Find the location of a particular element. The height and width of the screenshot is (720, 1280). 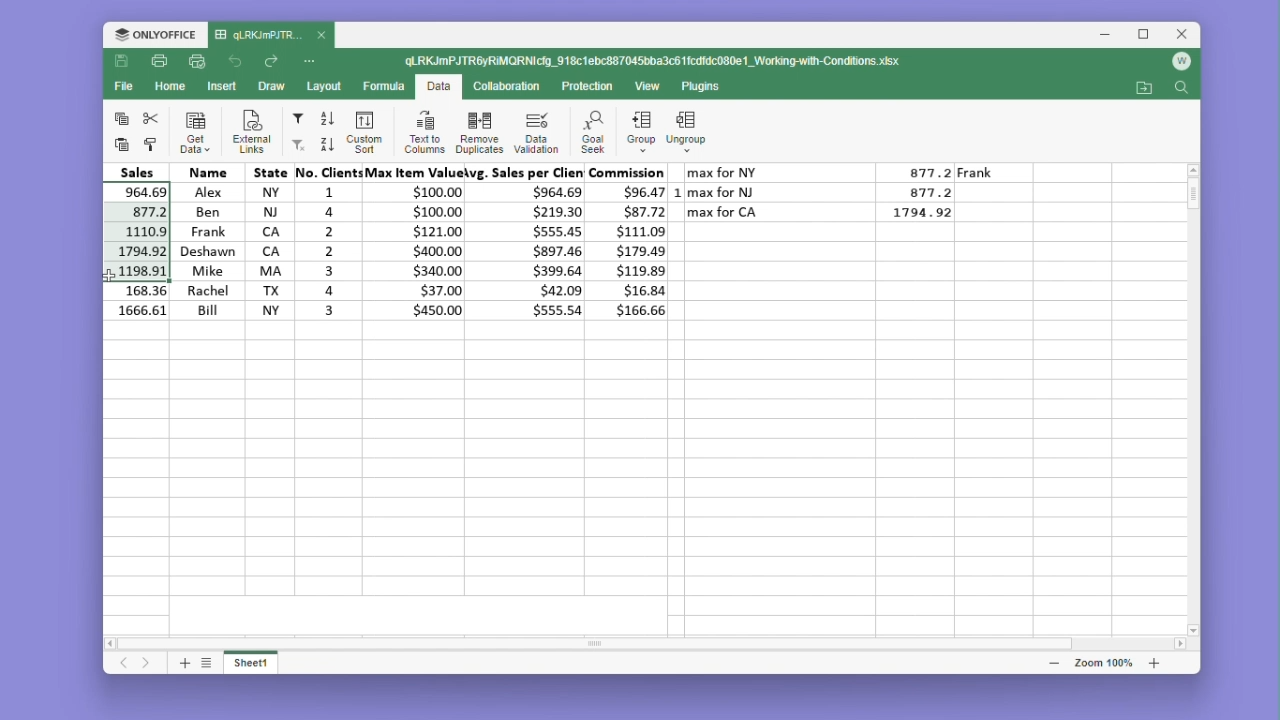

next sheet is located at coordinates (148, 664).